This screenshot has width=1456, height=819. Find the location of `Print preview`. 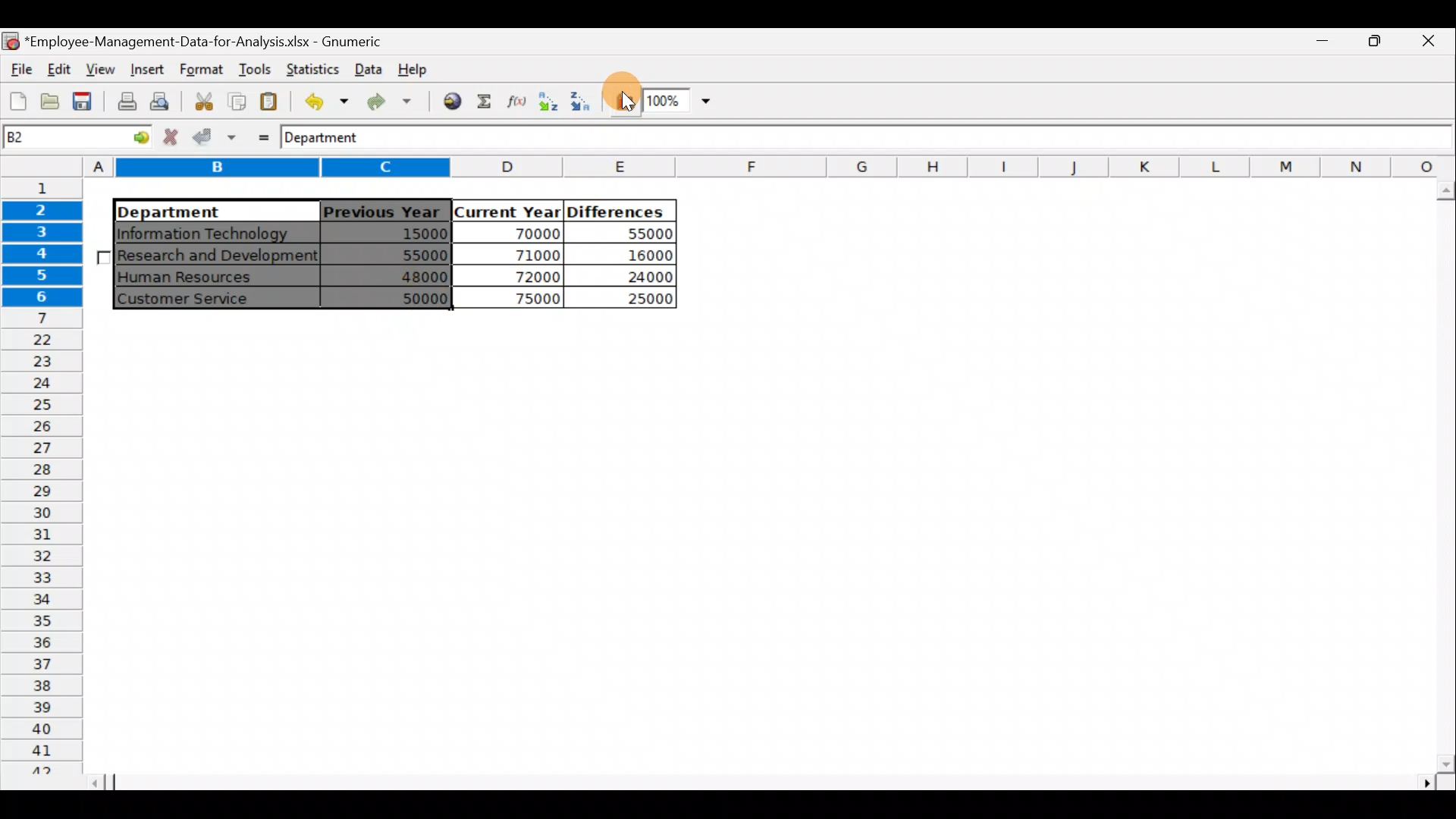

Print preview is located at coordinates (163, 101).